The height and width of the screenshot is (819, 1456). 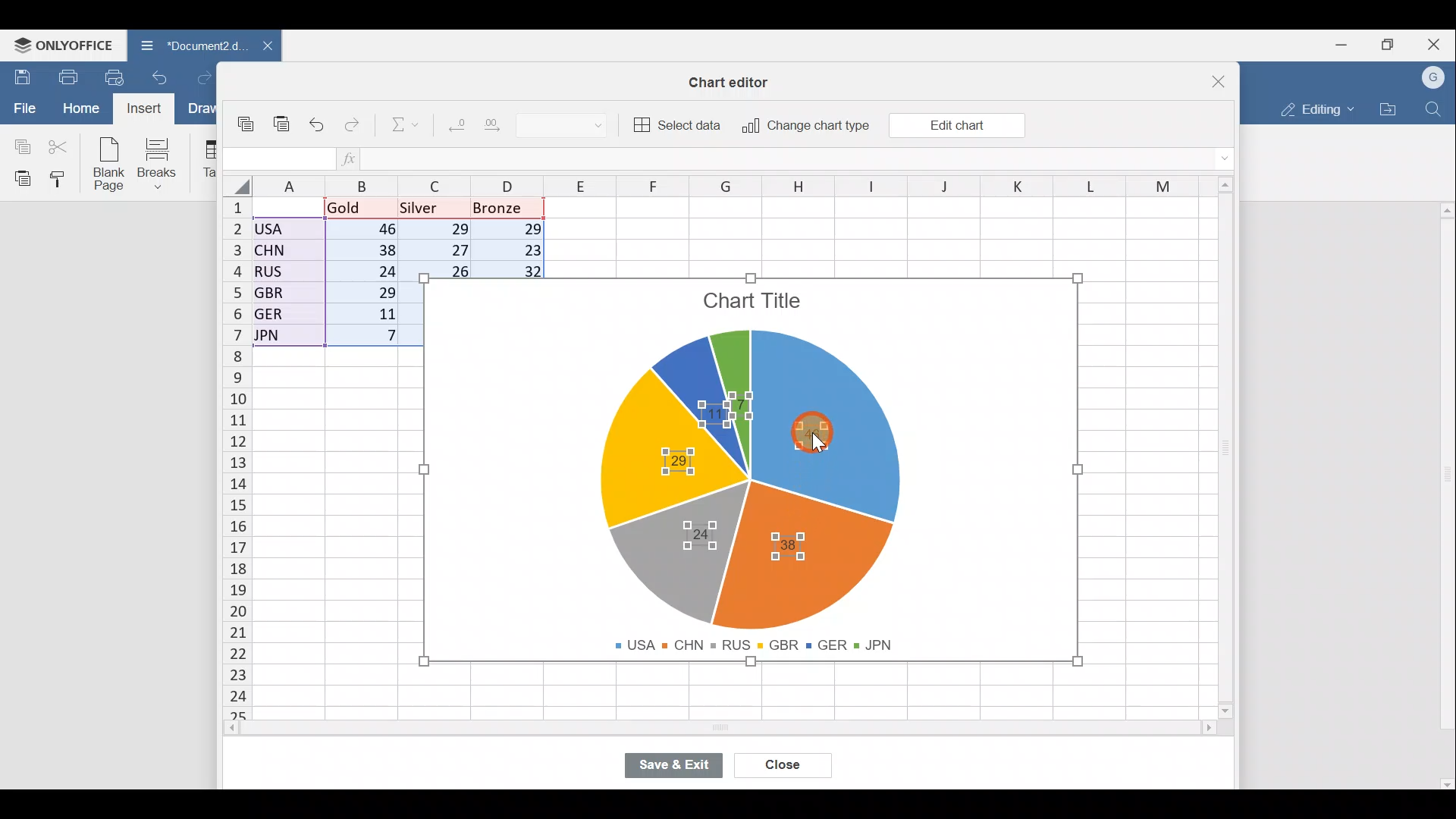 What do you see at coordinates (804, 158) in the screenshot?
I see `Formula bar` at bounding box center [804, 158].